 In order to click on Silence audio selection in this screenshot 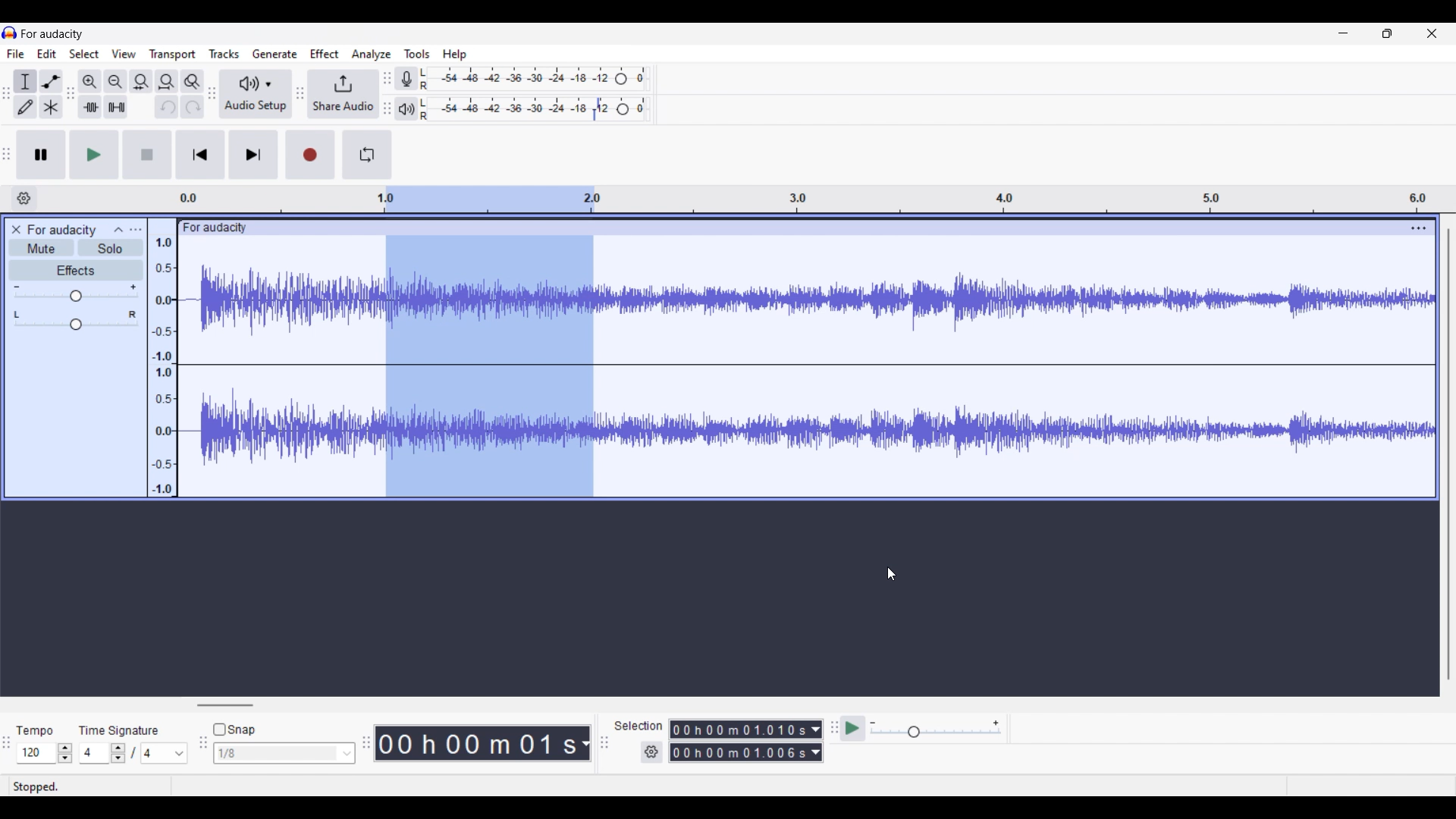, I will do `click(116, 107)`.